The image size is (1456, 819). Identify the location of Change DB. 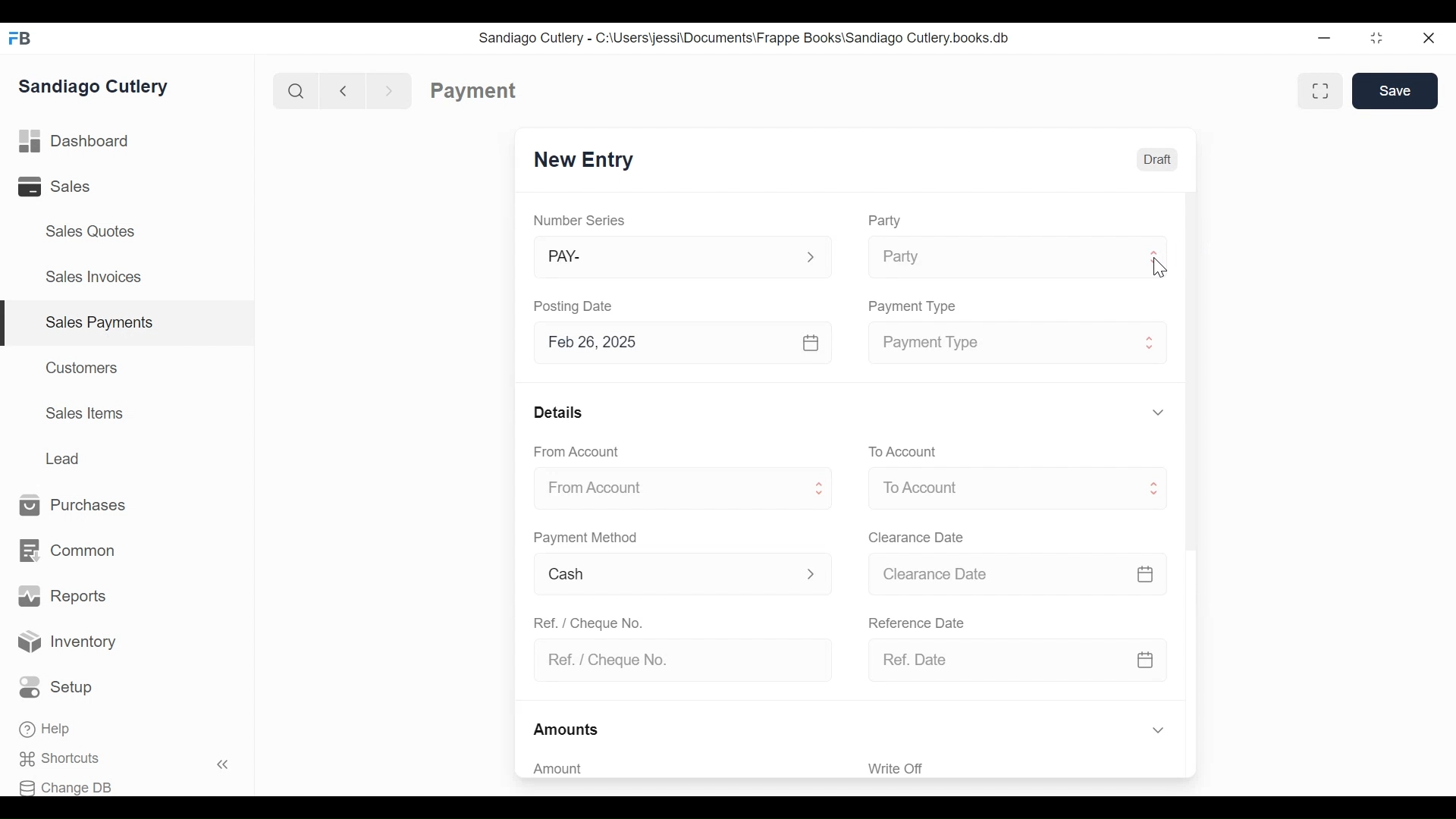
(71, 786).